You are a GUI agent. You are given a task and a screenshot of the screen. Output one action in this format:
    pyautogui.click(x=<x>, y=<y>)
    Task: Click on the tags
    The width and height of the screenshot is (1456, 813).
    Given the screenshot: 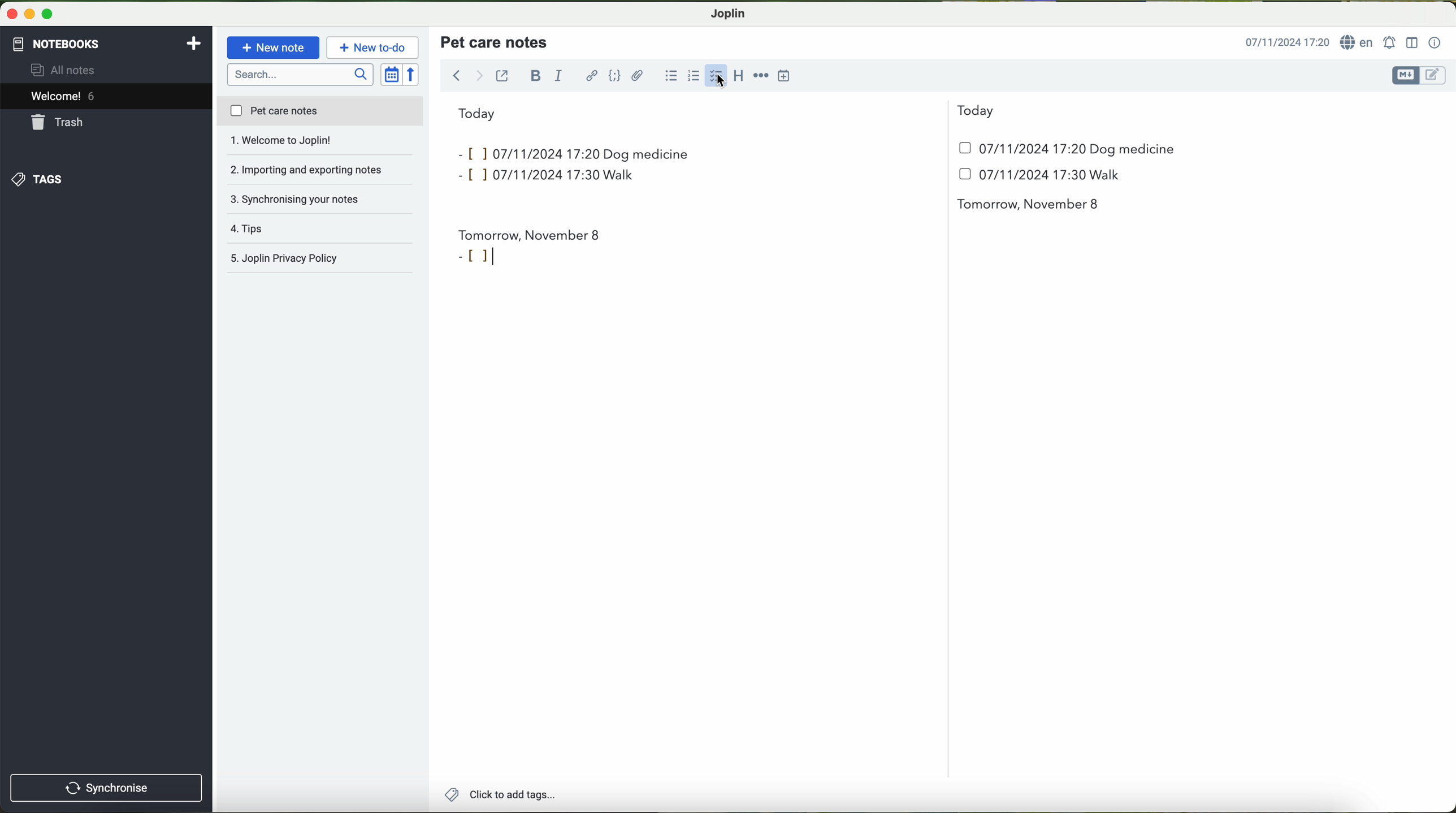 What is the action you would take?
    pyautogui.click(x=36, y=179)
    